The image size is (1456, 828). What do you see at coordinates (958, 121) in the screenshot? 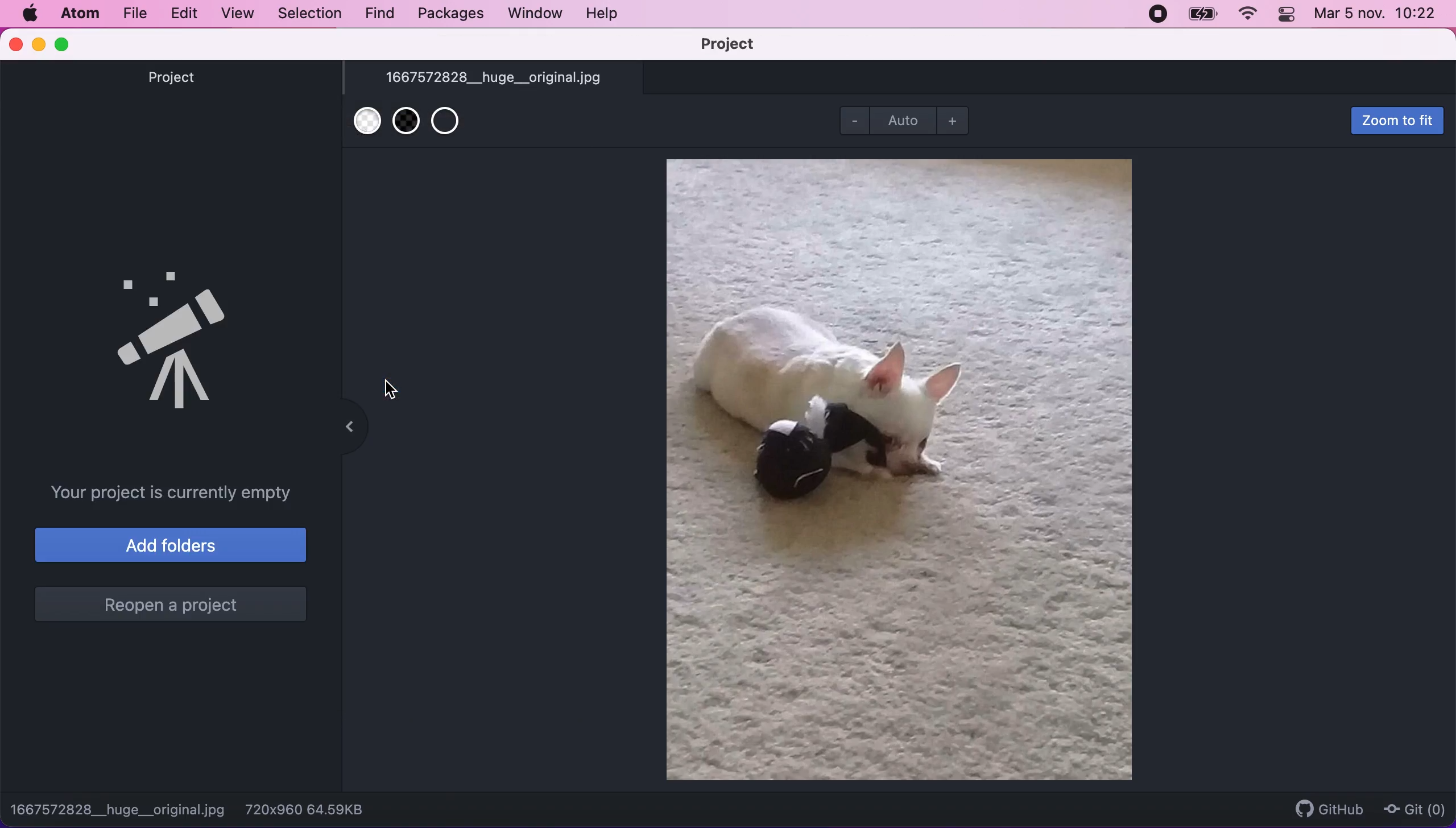
I see `zoom in` at bounding box center [958, 121].